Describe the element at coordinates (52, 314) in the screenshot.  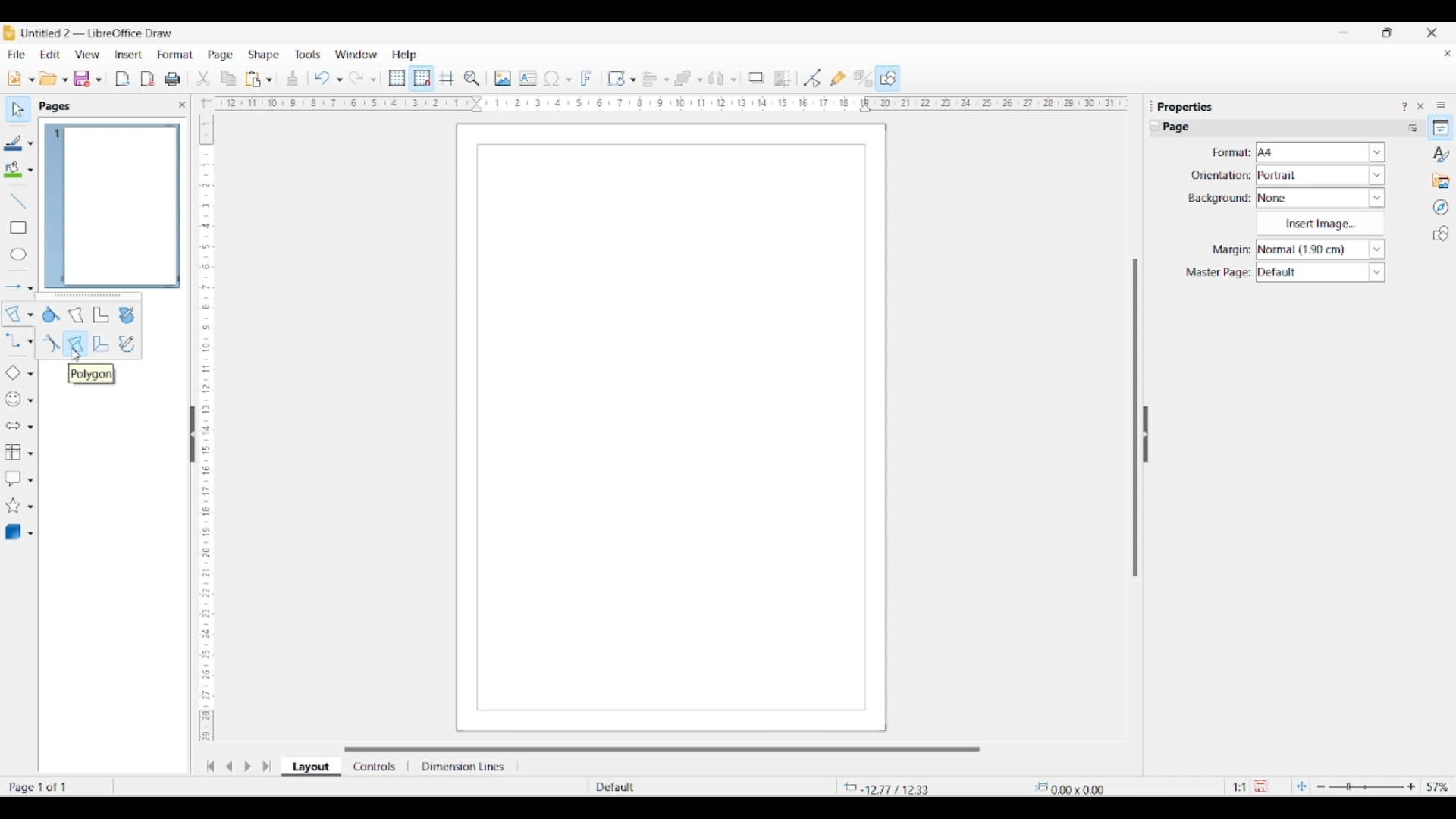
I see `Curve filled` at that location.